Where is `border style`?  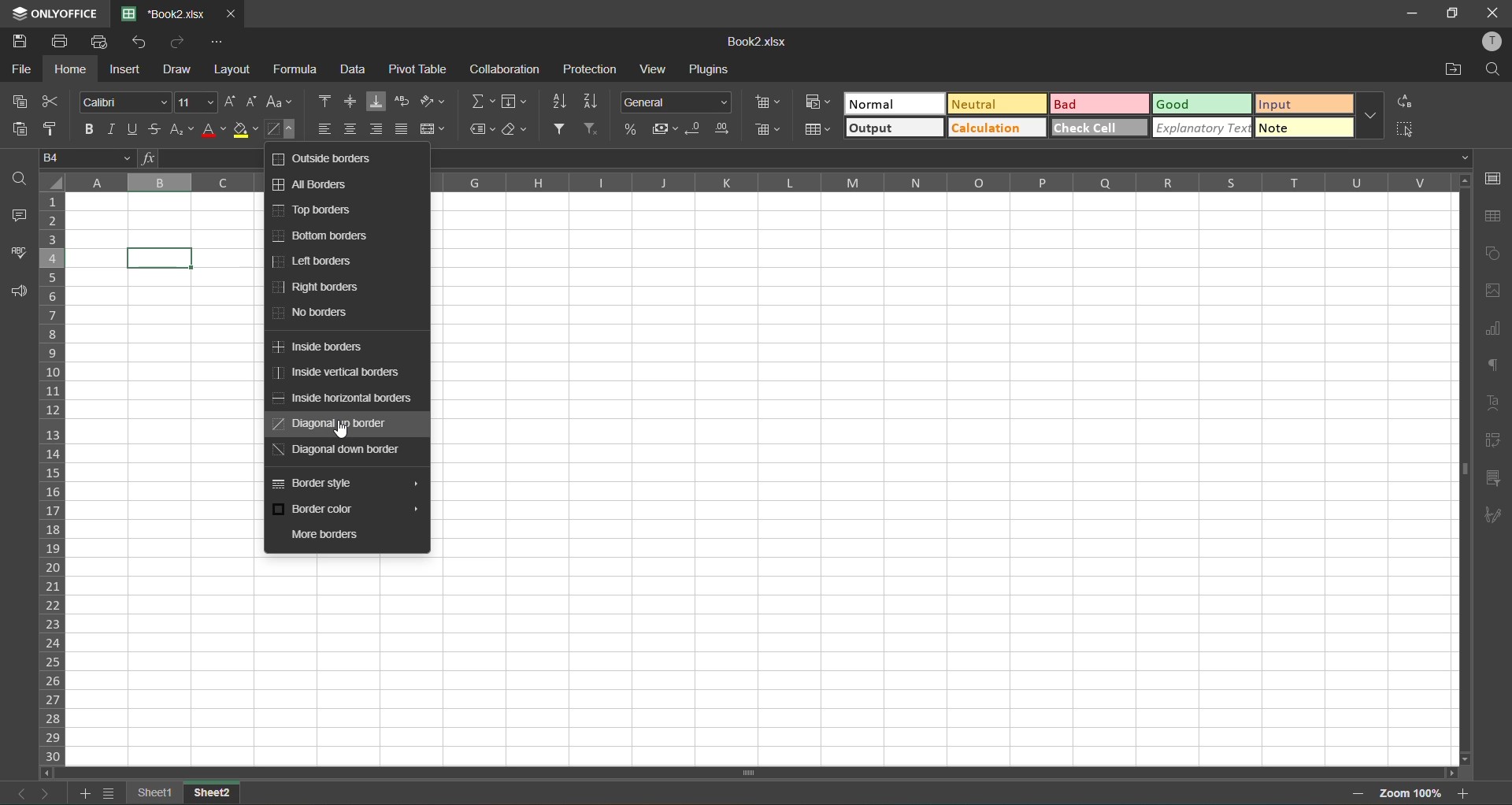 border style is located at coordinates (345, 482).